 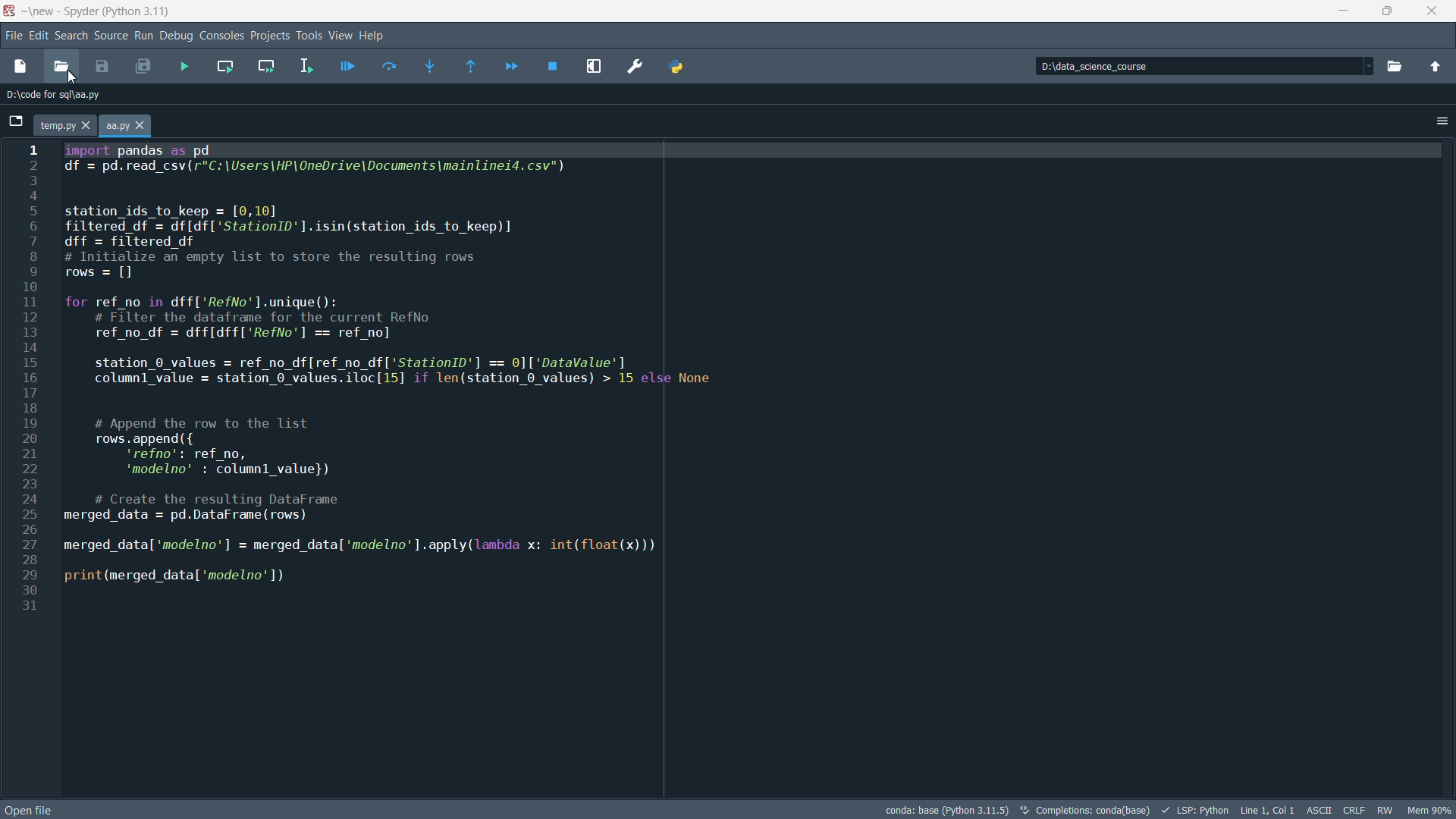 I want to click on execute until funtion or method return, so click(x=465, y=65).